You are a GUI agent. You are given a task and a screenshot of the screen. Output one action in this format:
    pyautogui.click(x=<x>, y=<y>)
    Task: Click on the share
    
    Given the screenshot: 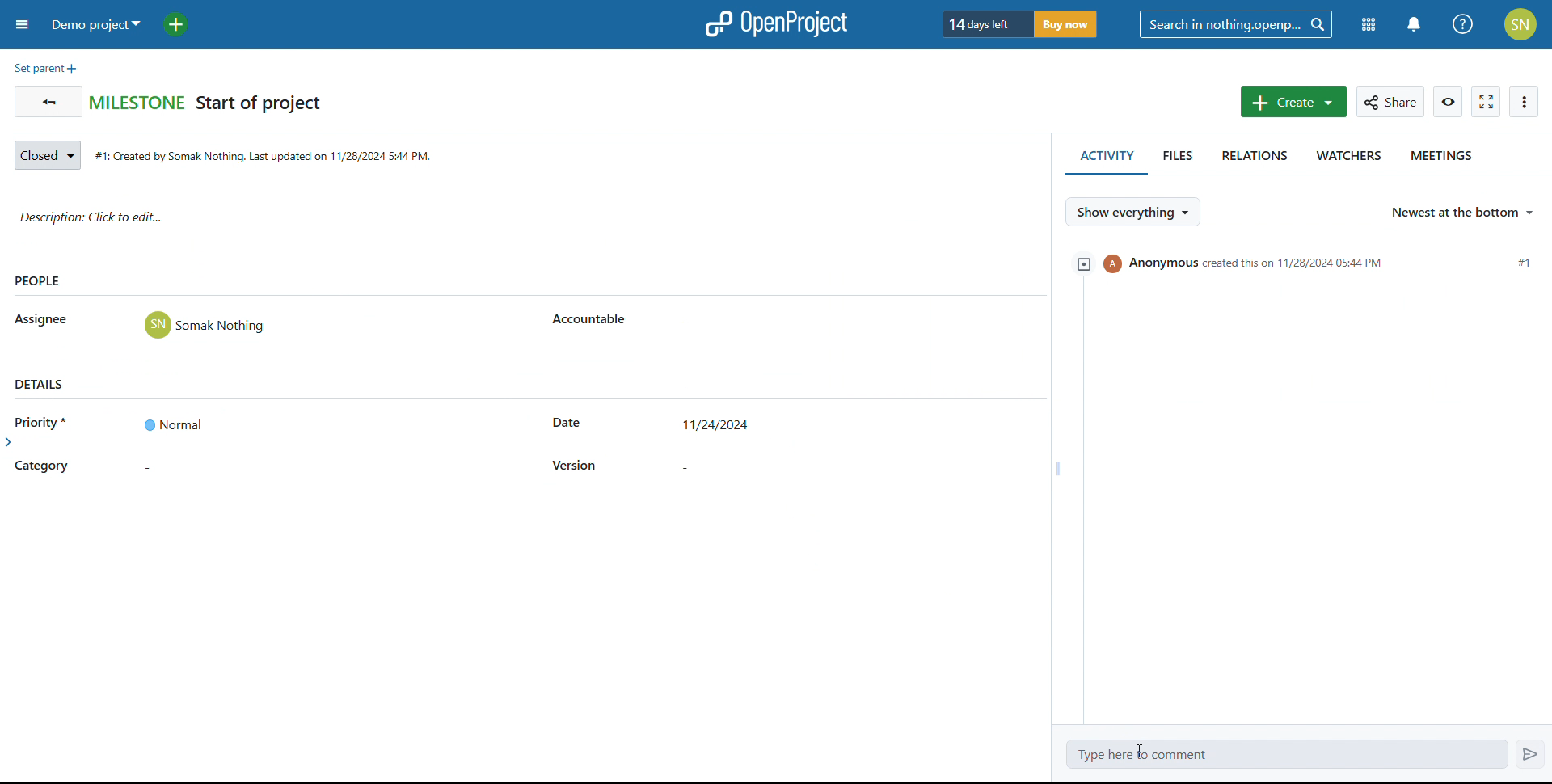 What is the action you would take?
    pyautogui.click(x=1390, y=103)
    